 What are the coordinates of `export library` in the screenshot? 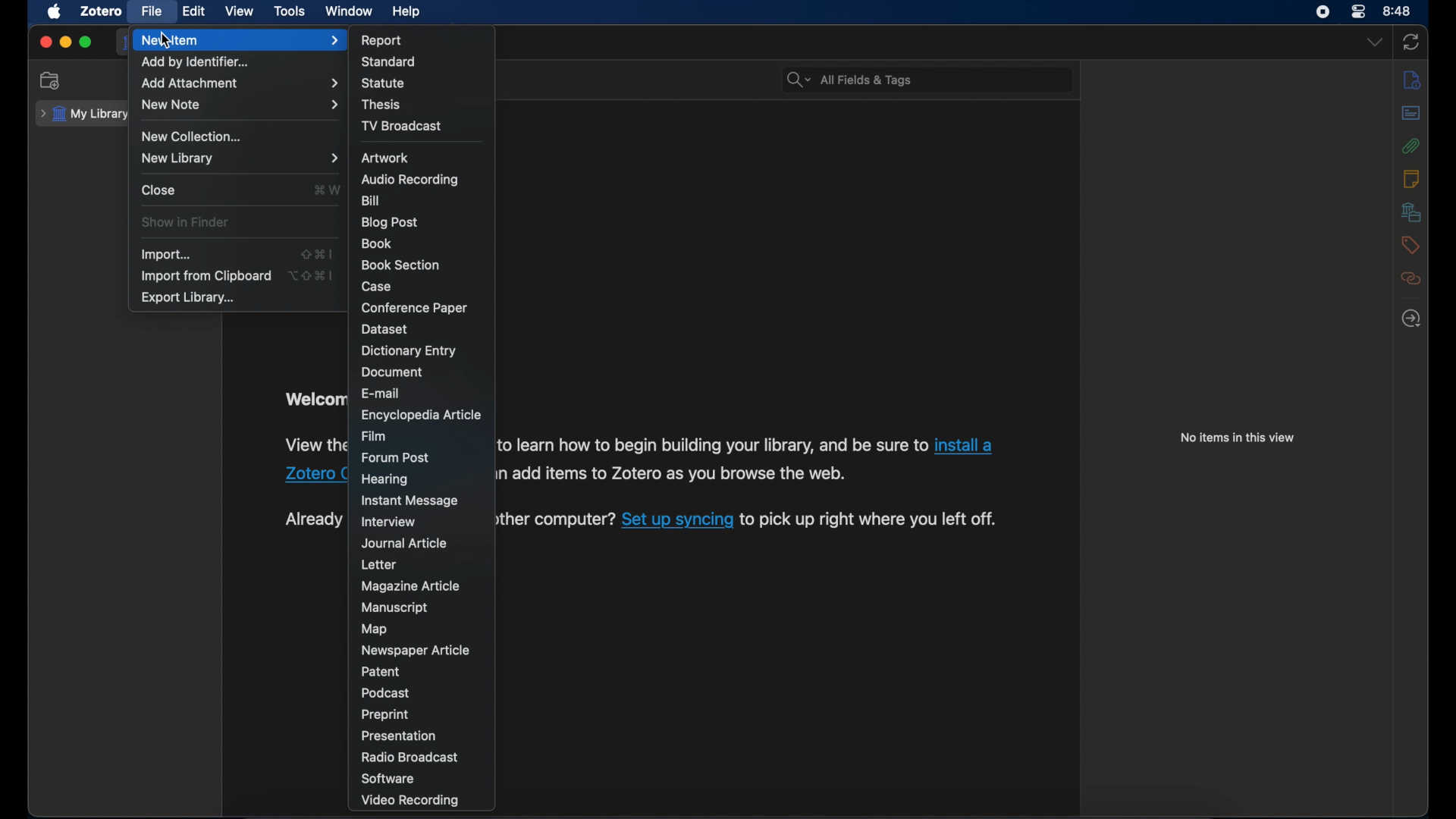 It's located at (187, 298).